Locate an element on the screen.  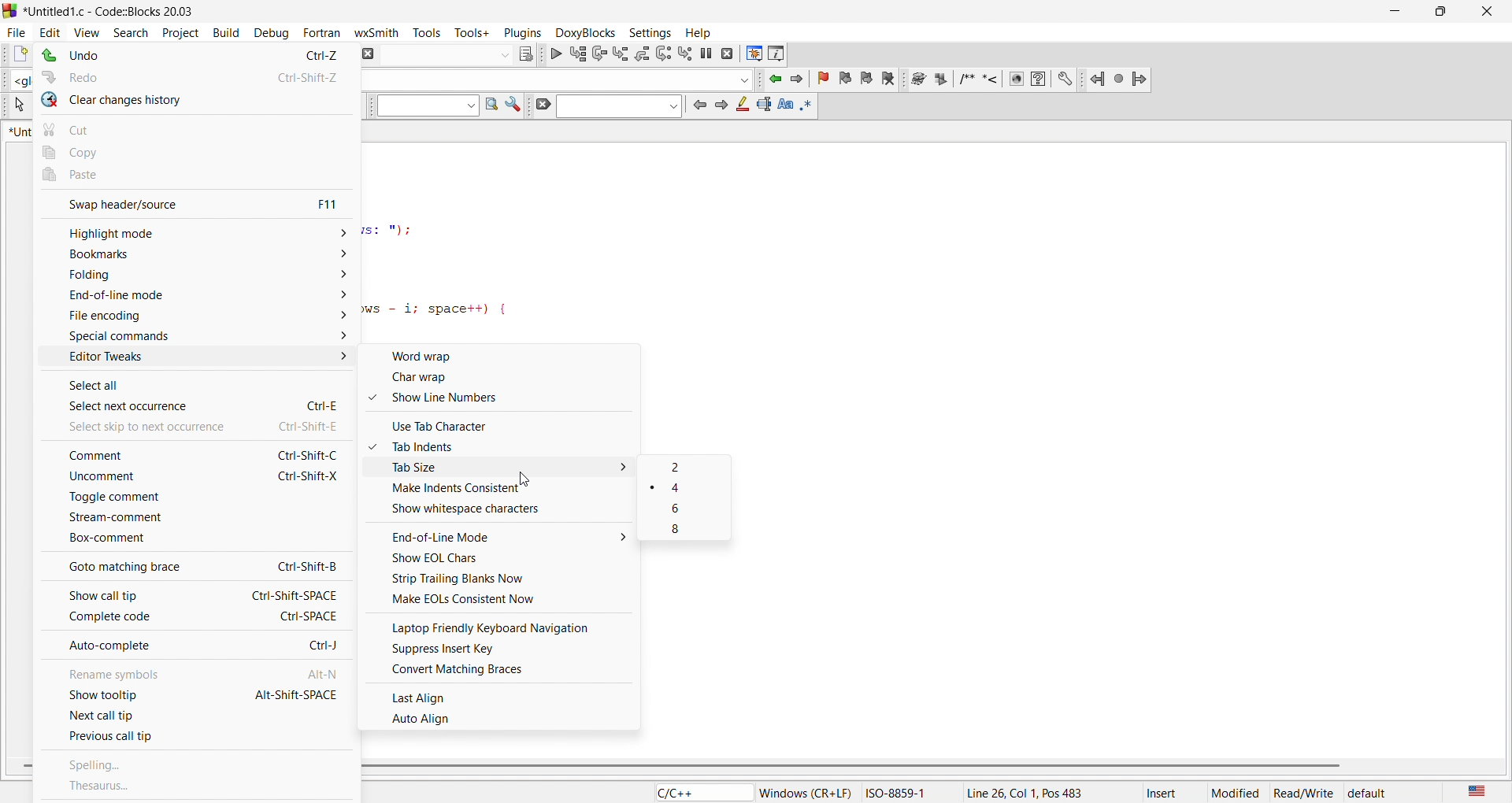
spelling is located at coordinates (198, 760).